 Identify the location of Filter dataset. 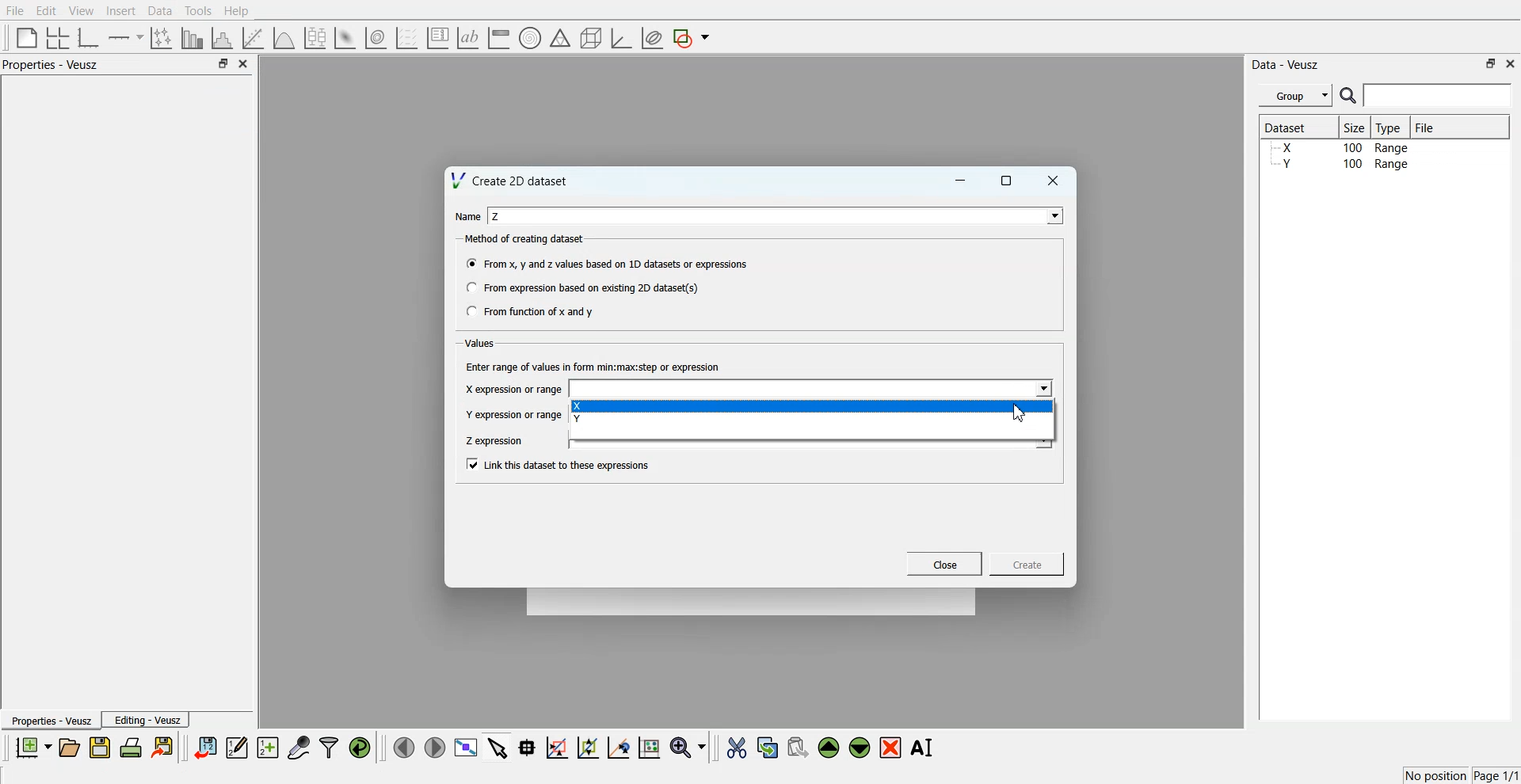
(329, 747).